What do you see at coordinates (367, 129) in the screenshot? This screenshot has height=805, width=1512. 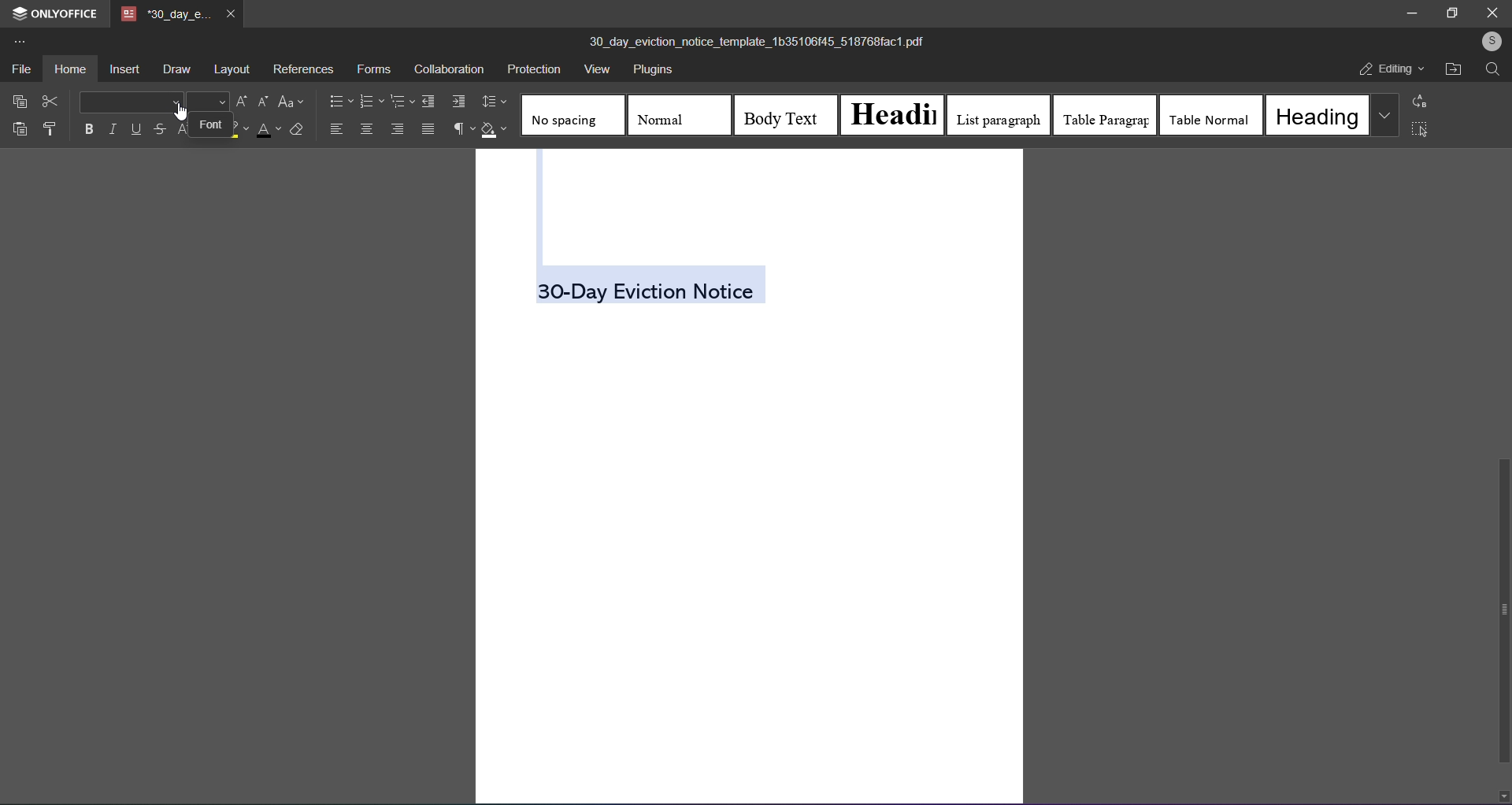 I see `middle align` at bounding box center [367, 129].